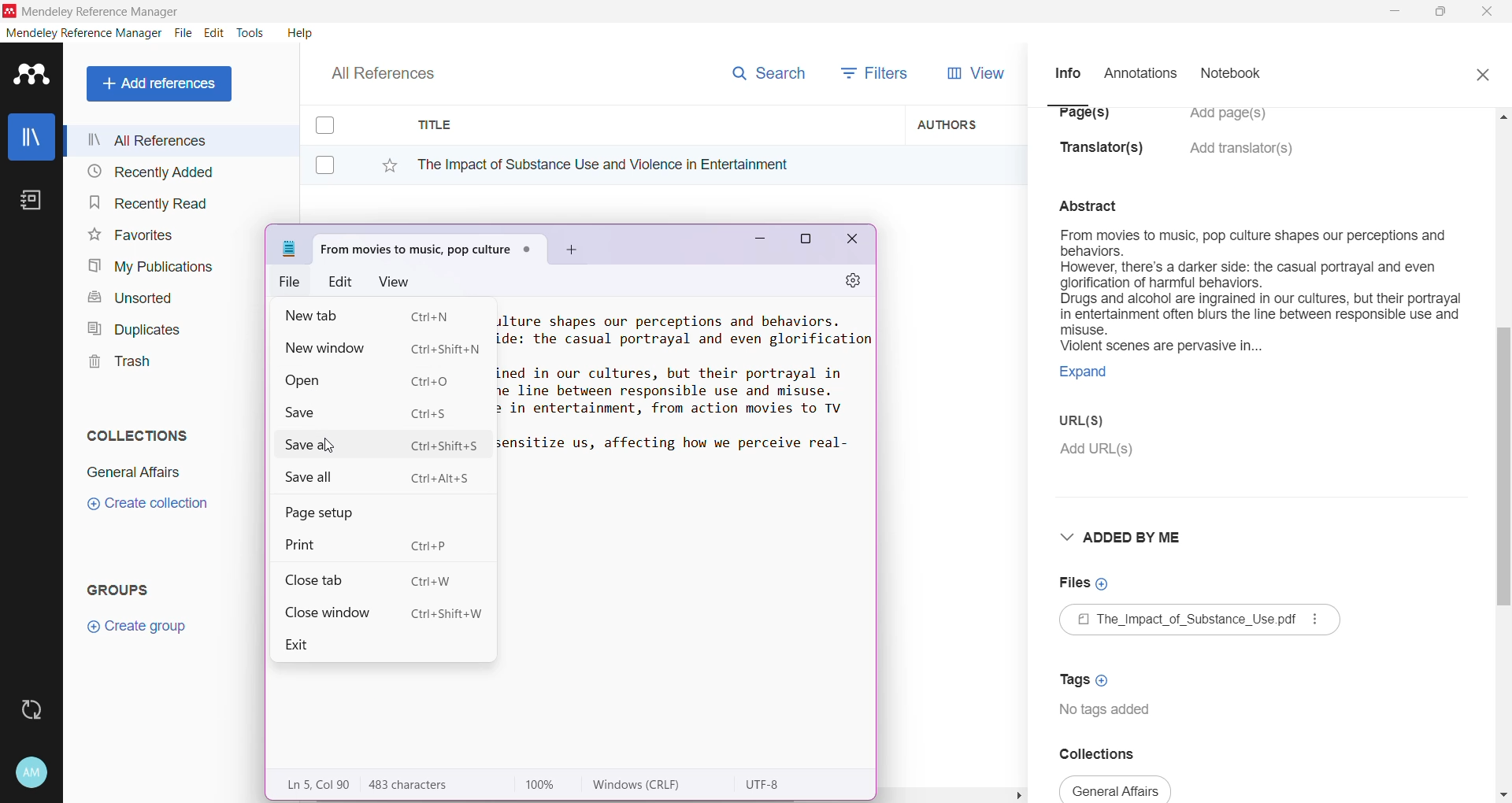 This screenshot has width=1512, height=803. I want to click on Save As, so click(385, 444).